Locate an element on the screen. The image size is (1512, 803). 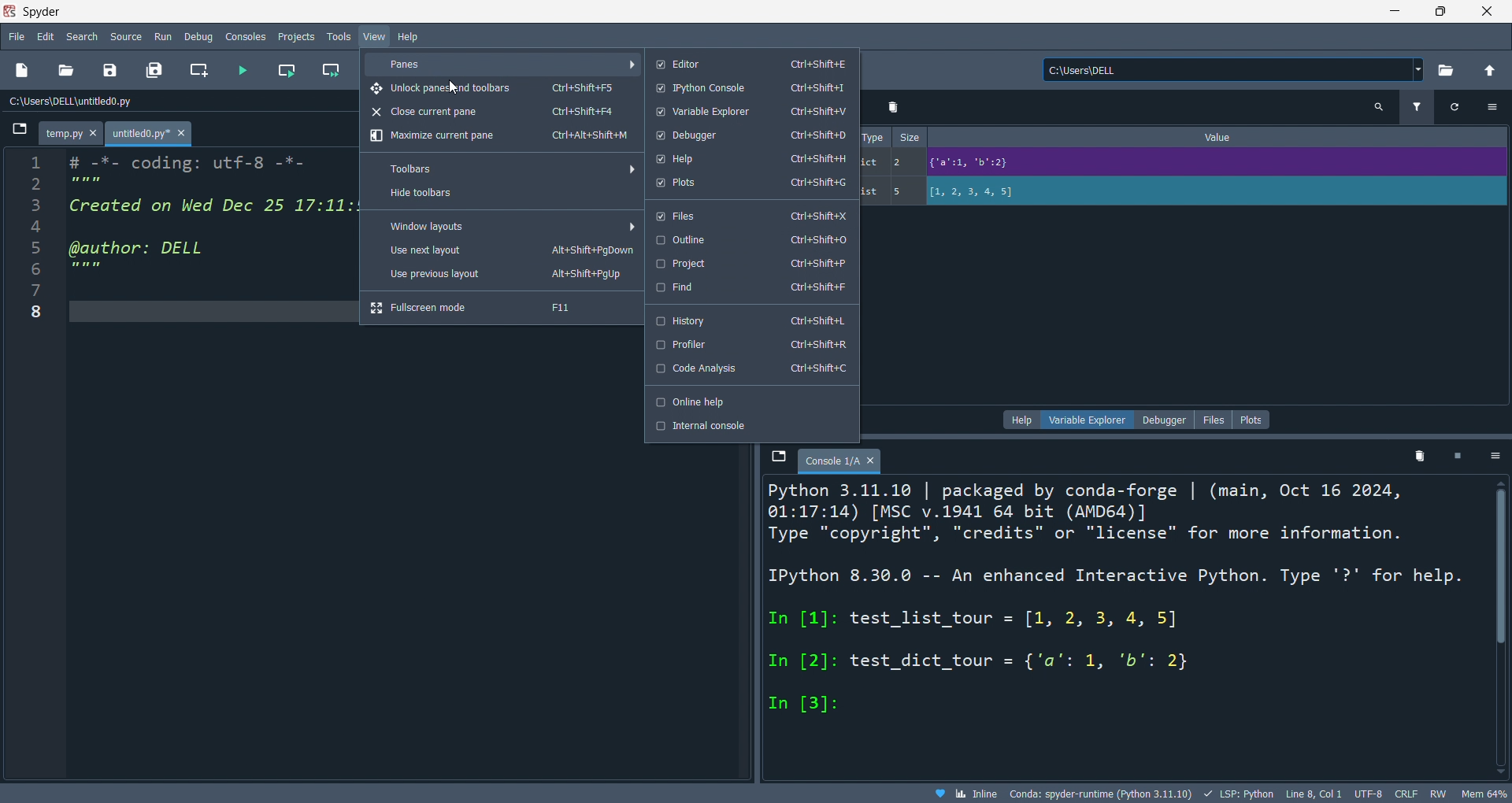
search is located at coordinates (1379, 108).